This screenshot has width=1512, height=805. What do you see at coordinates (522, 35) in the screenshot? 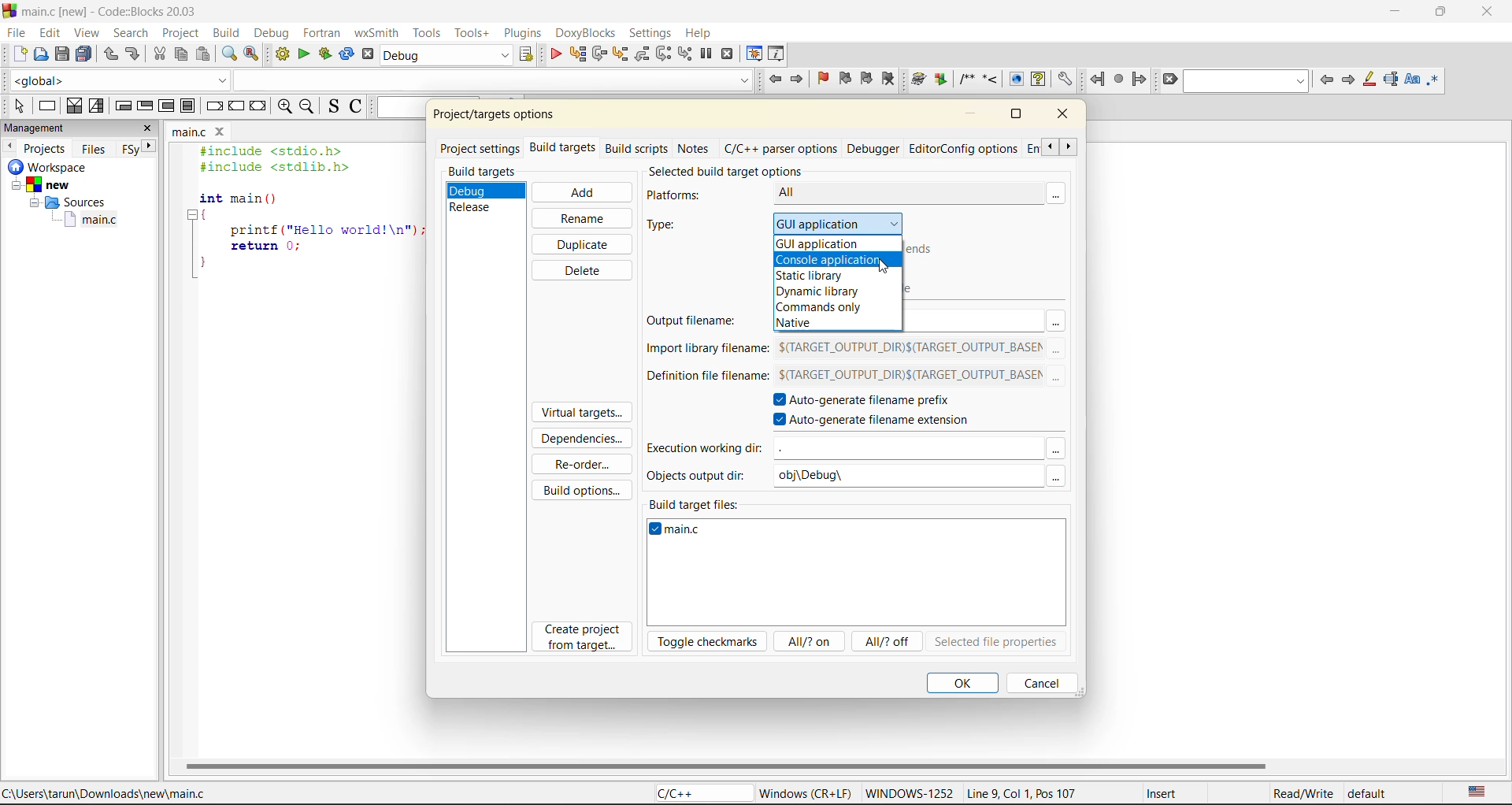
I see `plugins` at bounding box center [522, 35].